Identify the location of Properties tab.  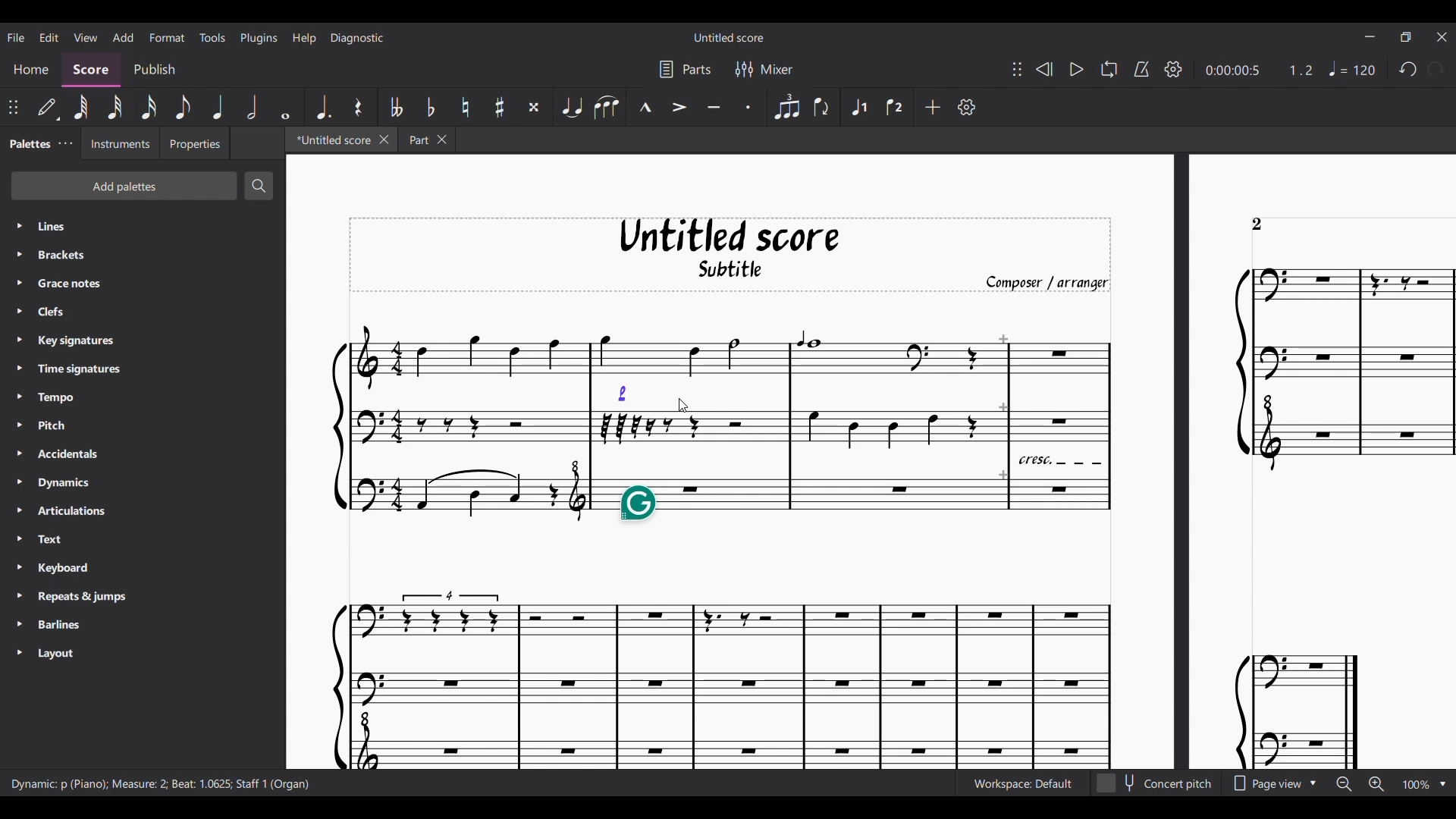
(194, 143).